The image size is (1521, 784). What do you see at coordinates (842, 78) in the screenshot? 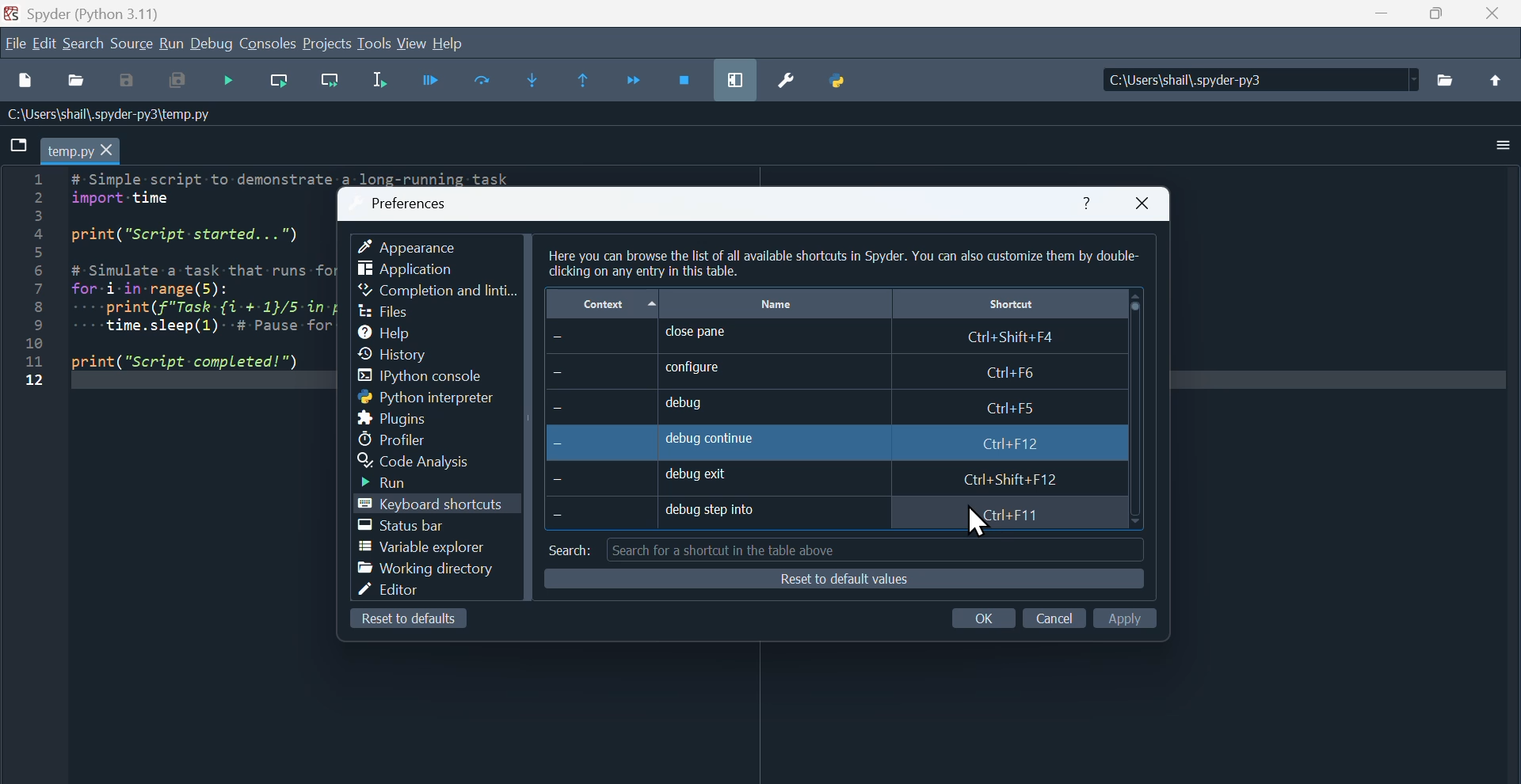
I see `Python path manager` at bounding box center [842, 78].